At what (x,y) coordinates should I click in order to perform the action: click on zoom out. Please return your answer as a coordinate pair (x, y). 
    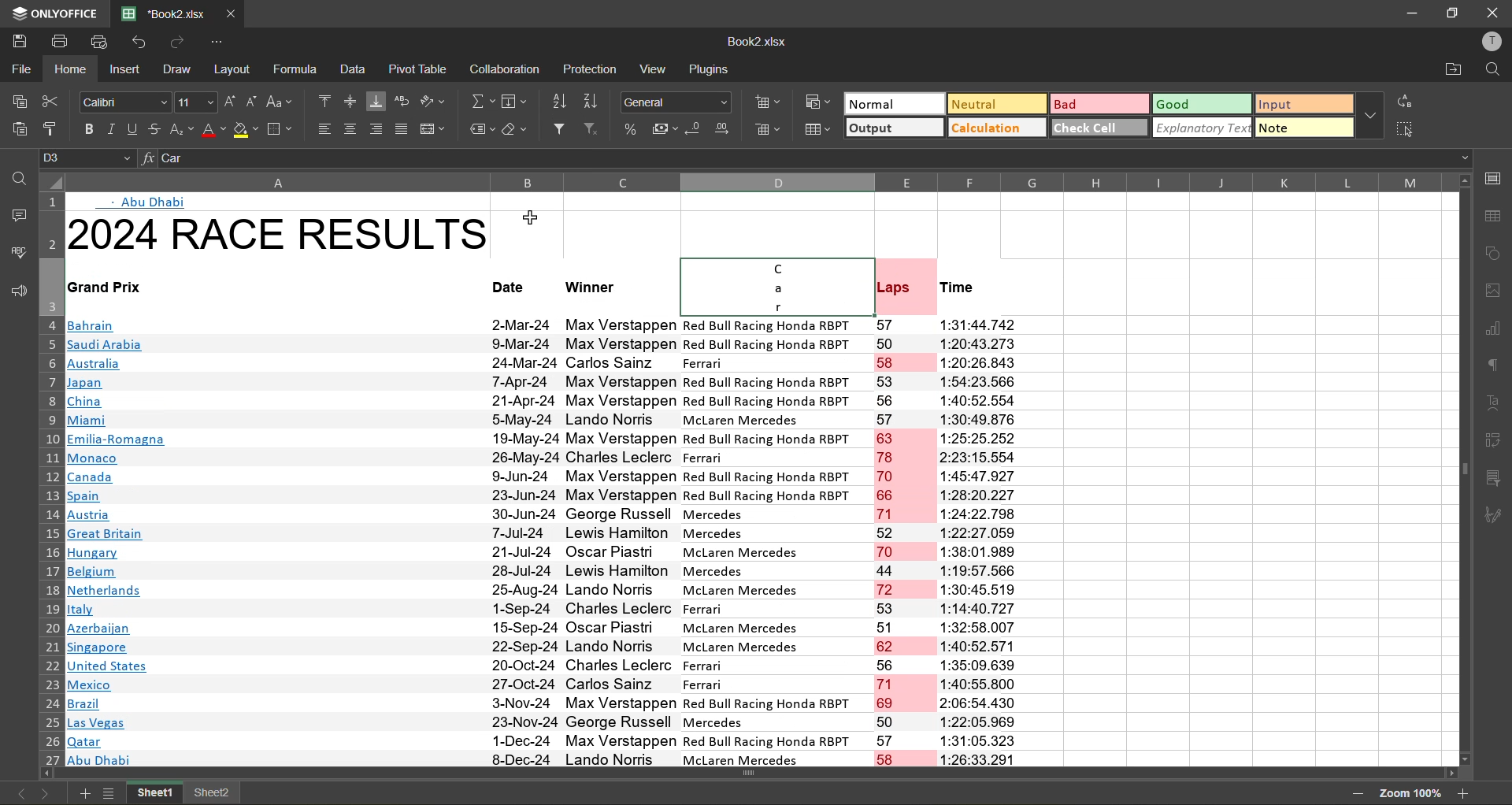
    Looking at the image, I should click on (1364, 794).